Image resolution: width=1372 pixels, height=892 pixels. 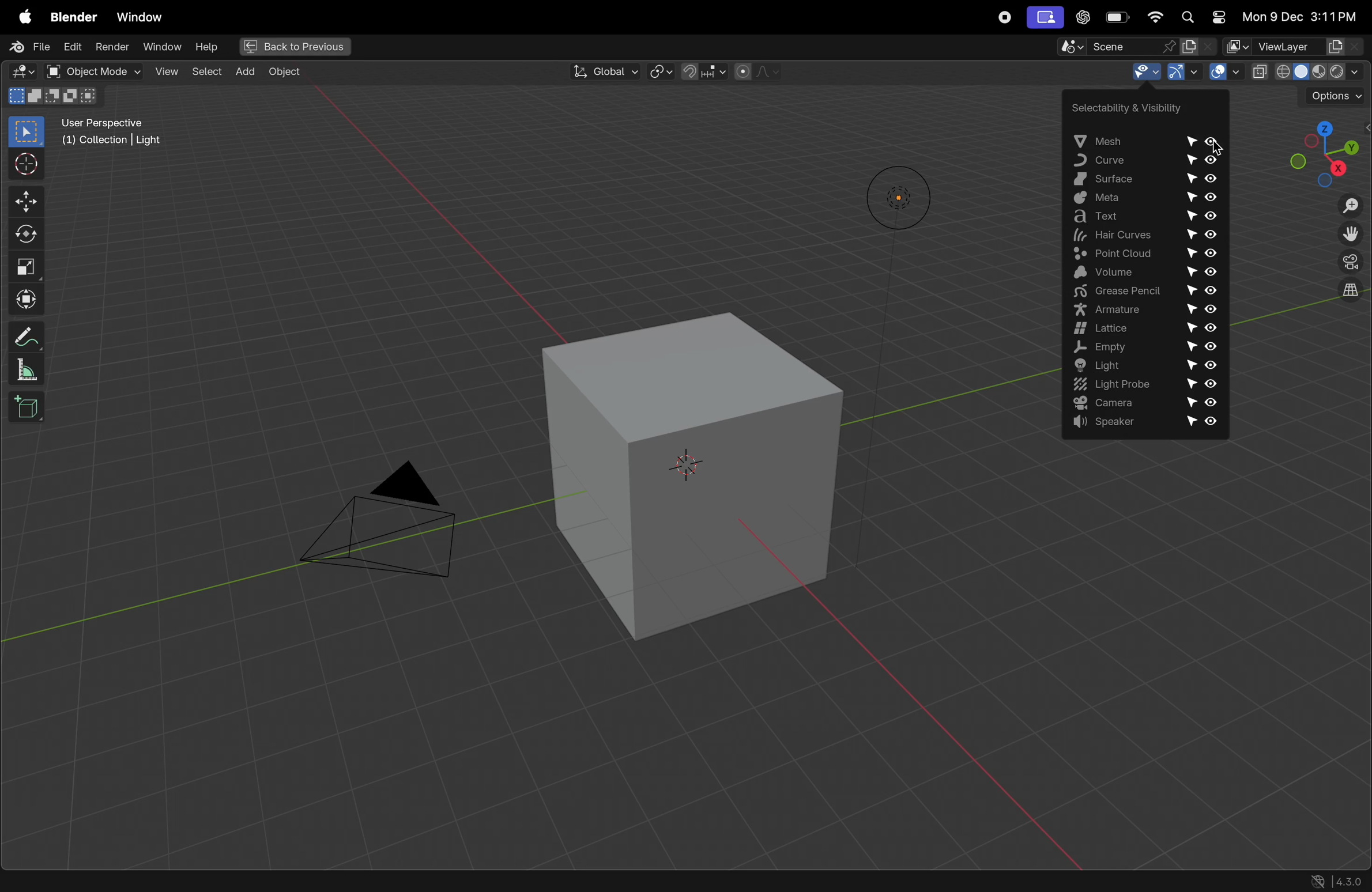 I want to click on view point, so click(x=1321, y=148).